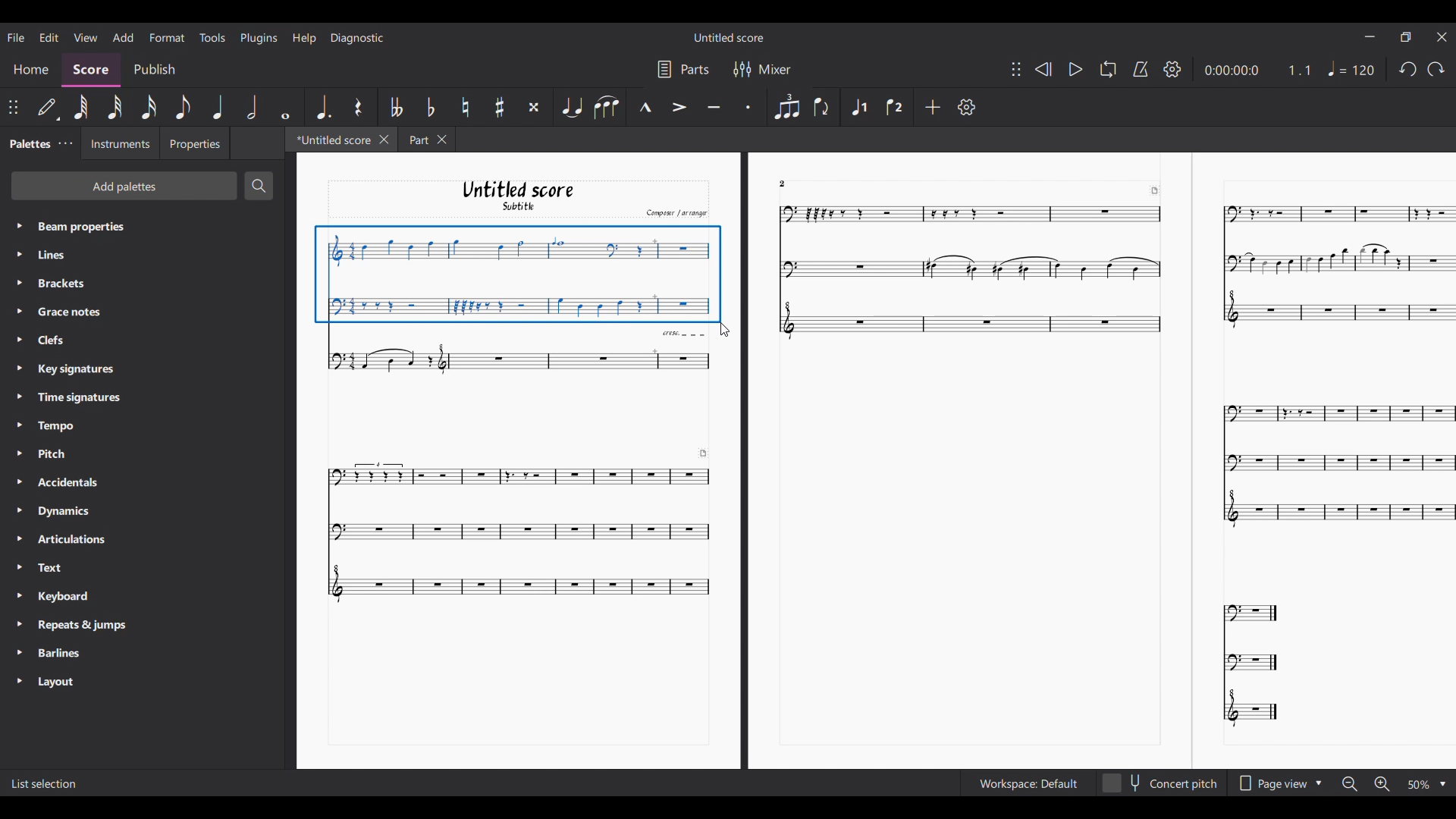  What do you see at coordinates (679, 107) in the screenshot?
I see `Accent` at bounding box center [679, 107].